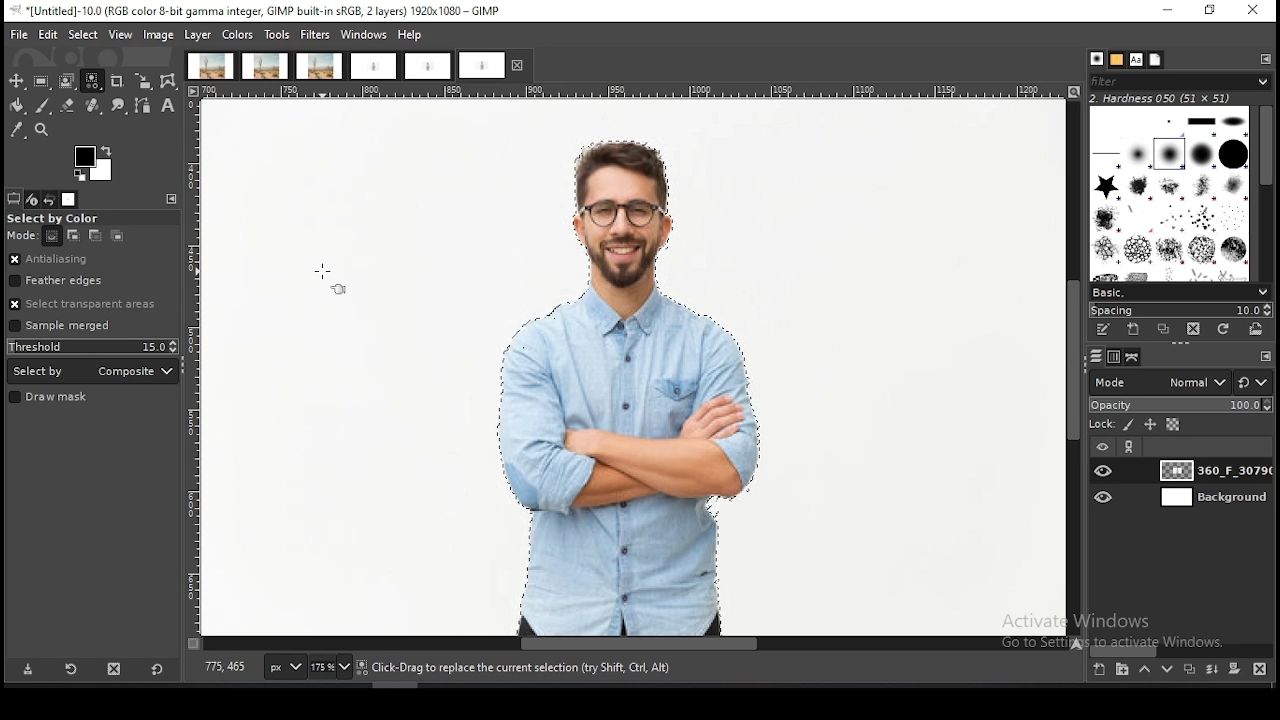  Describe the element at coordinates (628, 644) in the screenshot. I see `scroll bar` at that location.